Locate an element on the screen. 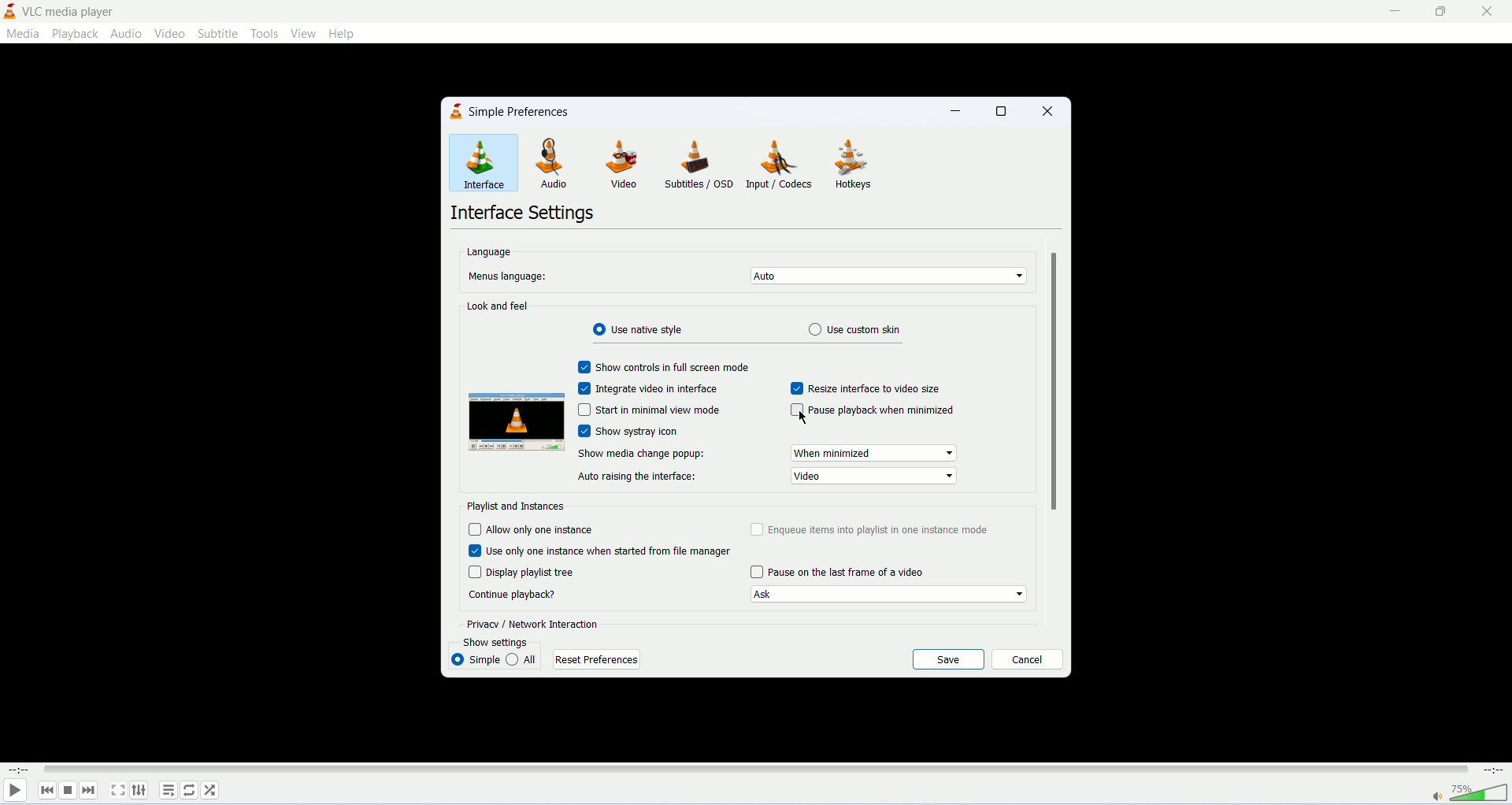 The height and width of the screenshot is (805, 1512). maximize is located at coordinates (1001, 111).